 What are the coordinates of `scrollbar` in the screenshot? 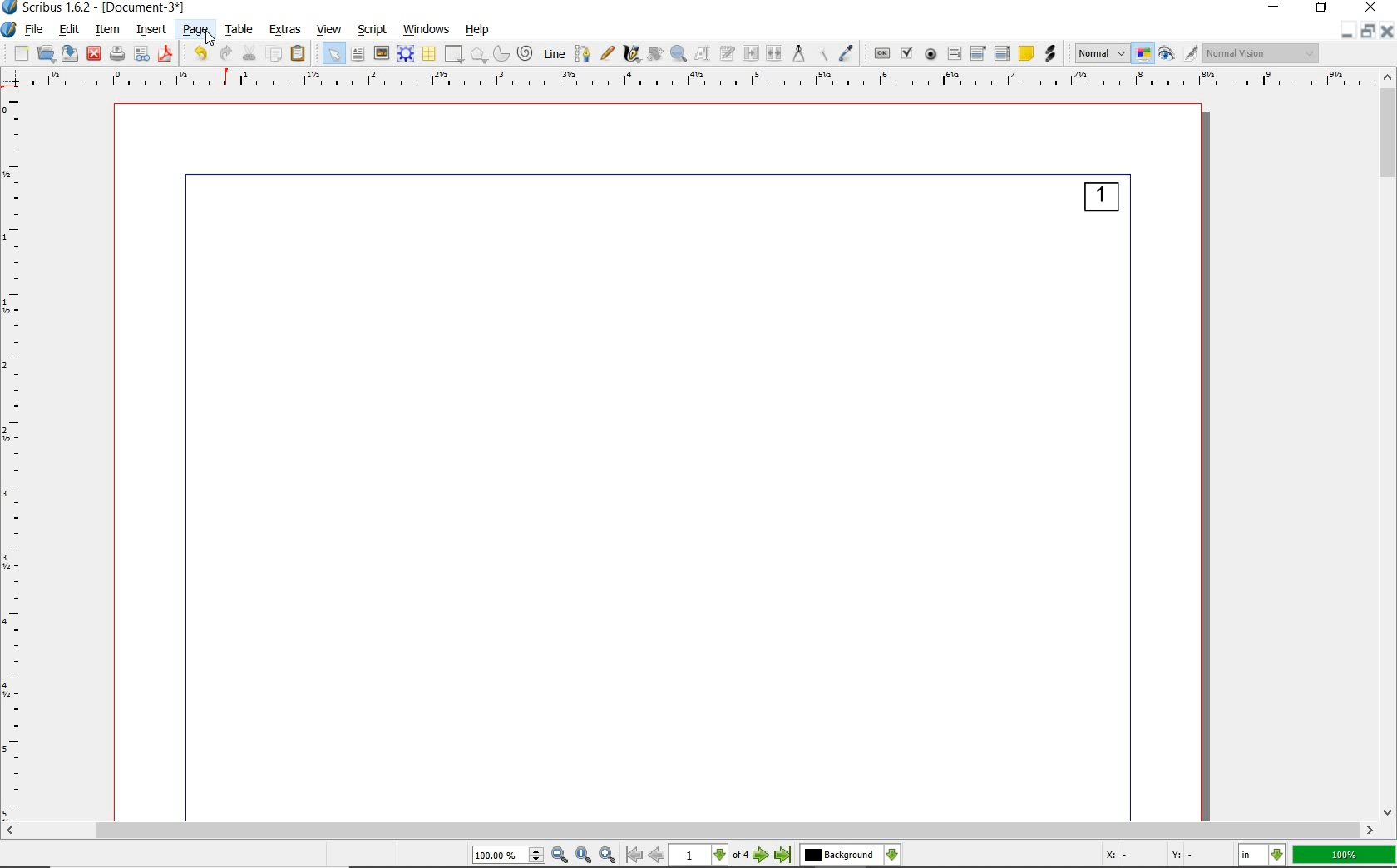 It's located at (690, 831).